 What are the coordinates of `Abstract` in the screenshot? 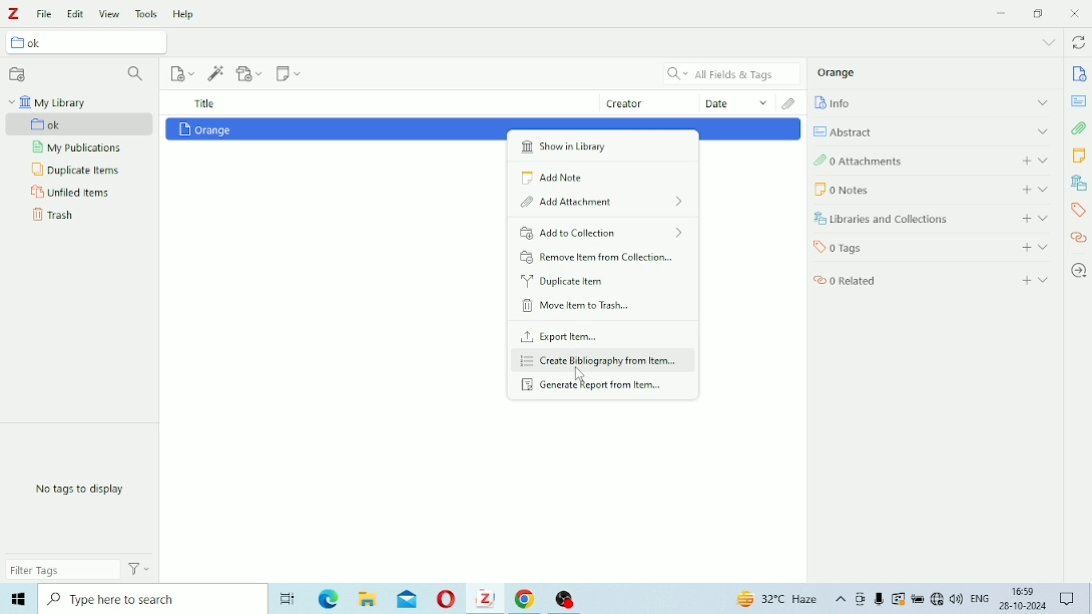 It's located at (1078, 101).